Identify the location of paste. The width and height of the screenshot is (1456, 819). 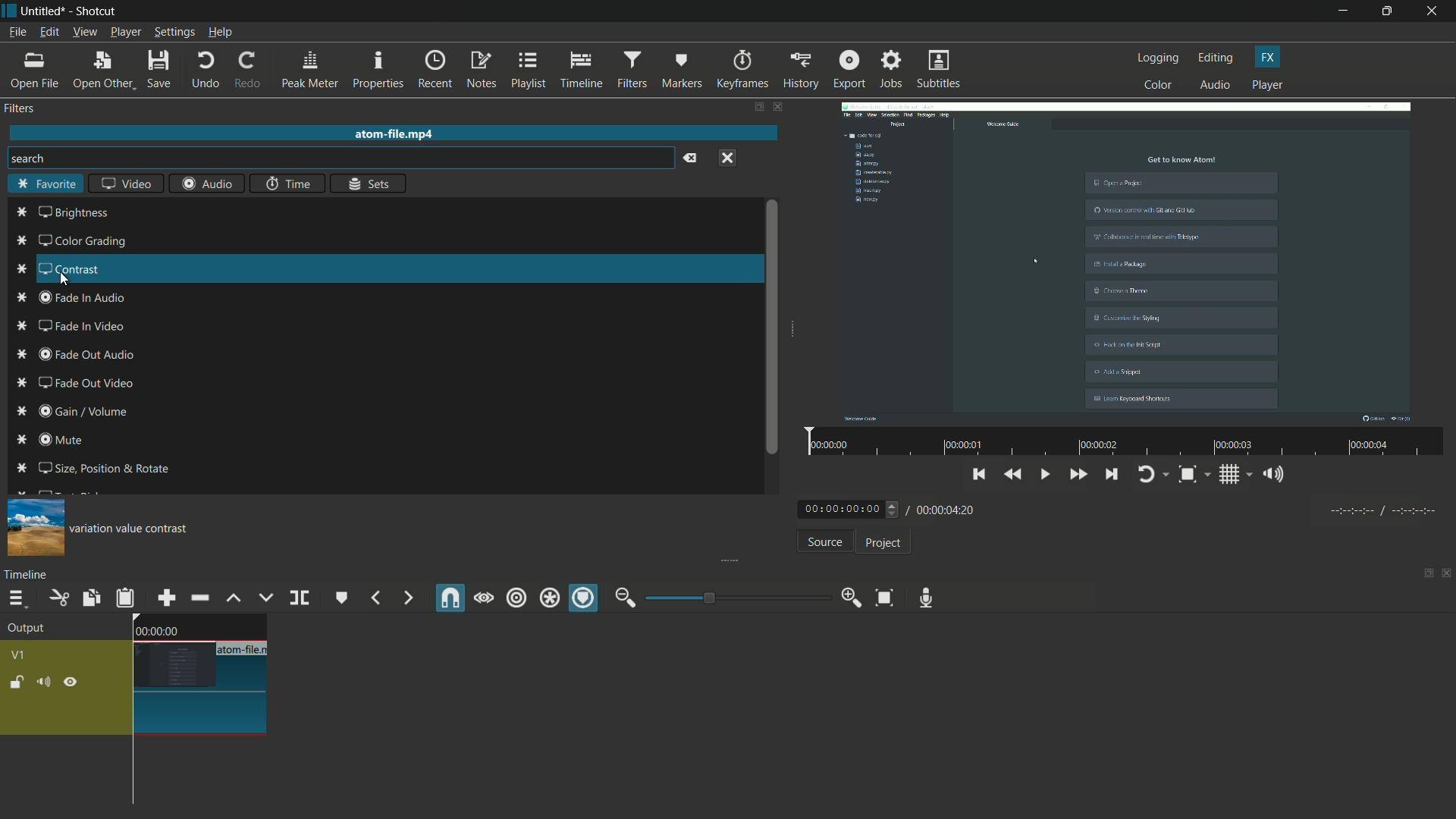
(125, 598).